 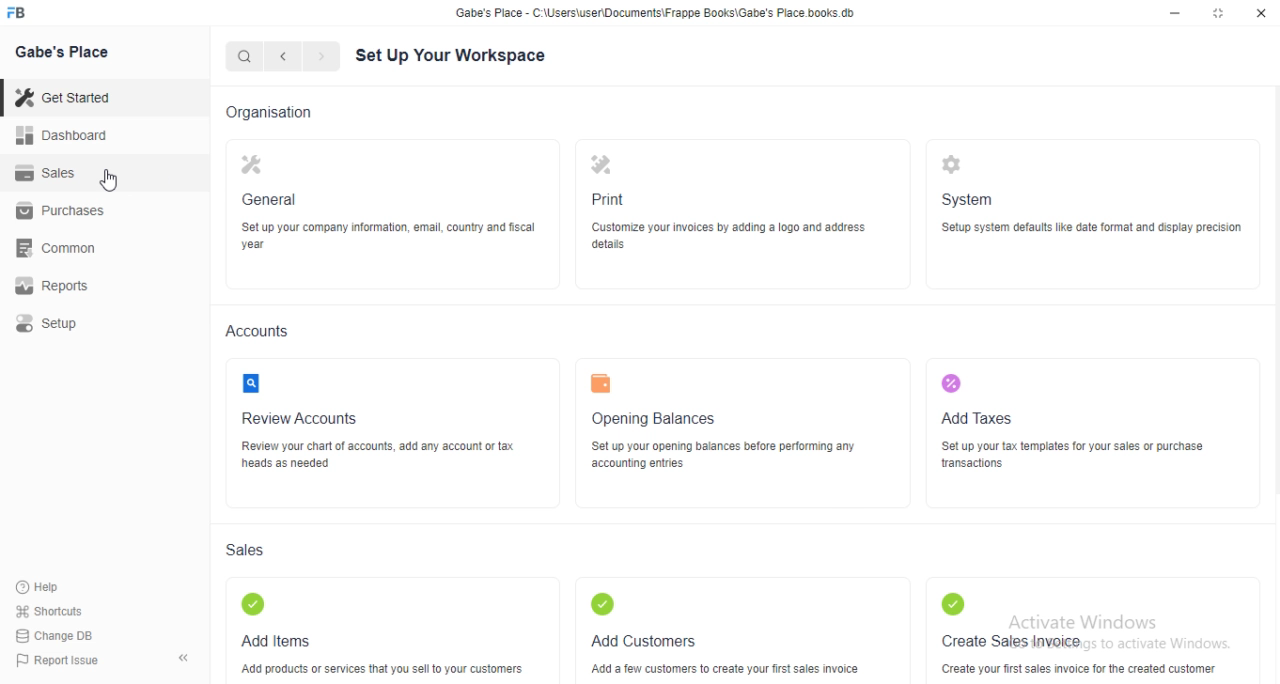 What do you see at coordinates (54, 636) in the screenshot?
I see `change DB` at bounding box center [54, 636].